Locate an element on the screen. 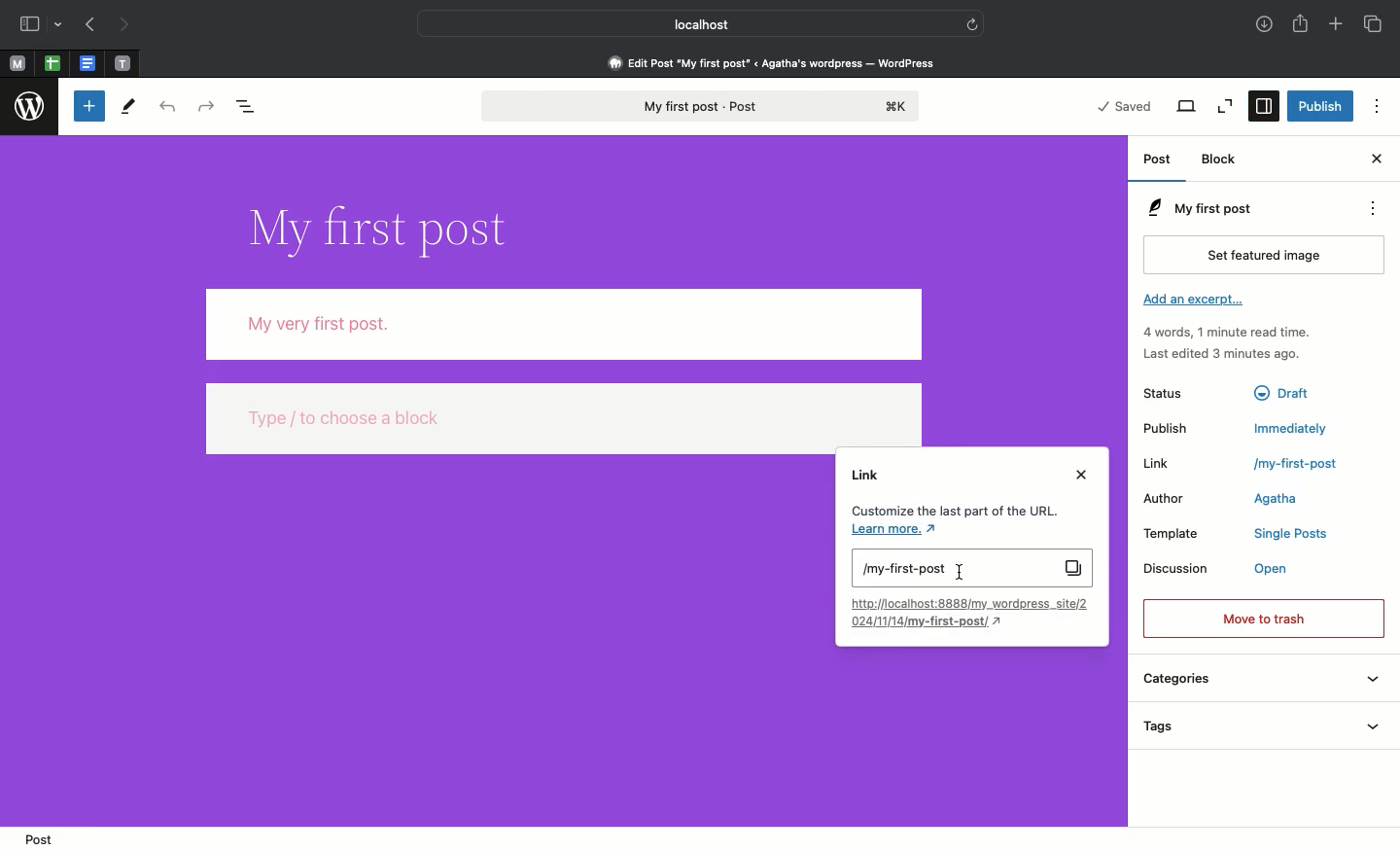 The width and height of the screenshot is (1400, 850). type / to choose a block is located at coordinates (565, 417).